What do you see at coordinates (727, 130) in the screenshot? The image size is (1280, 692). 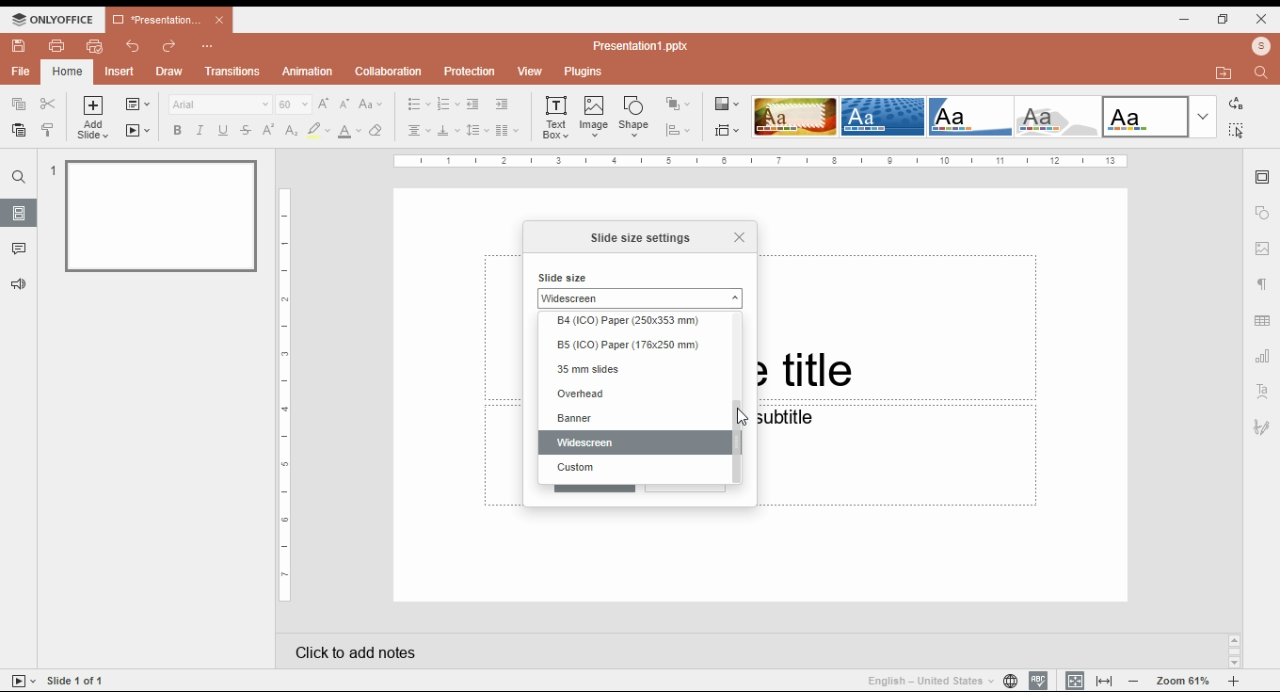 I see `change slide size` at bounding box center [727, 130].